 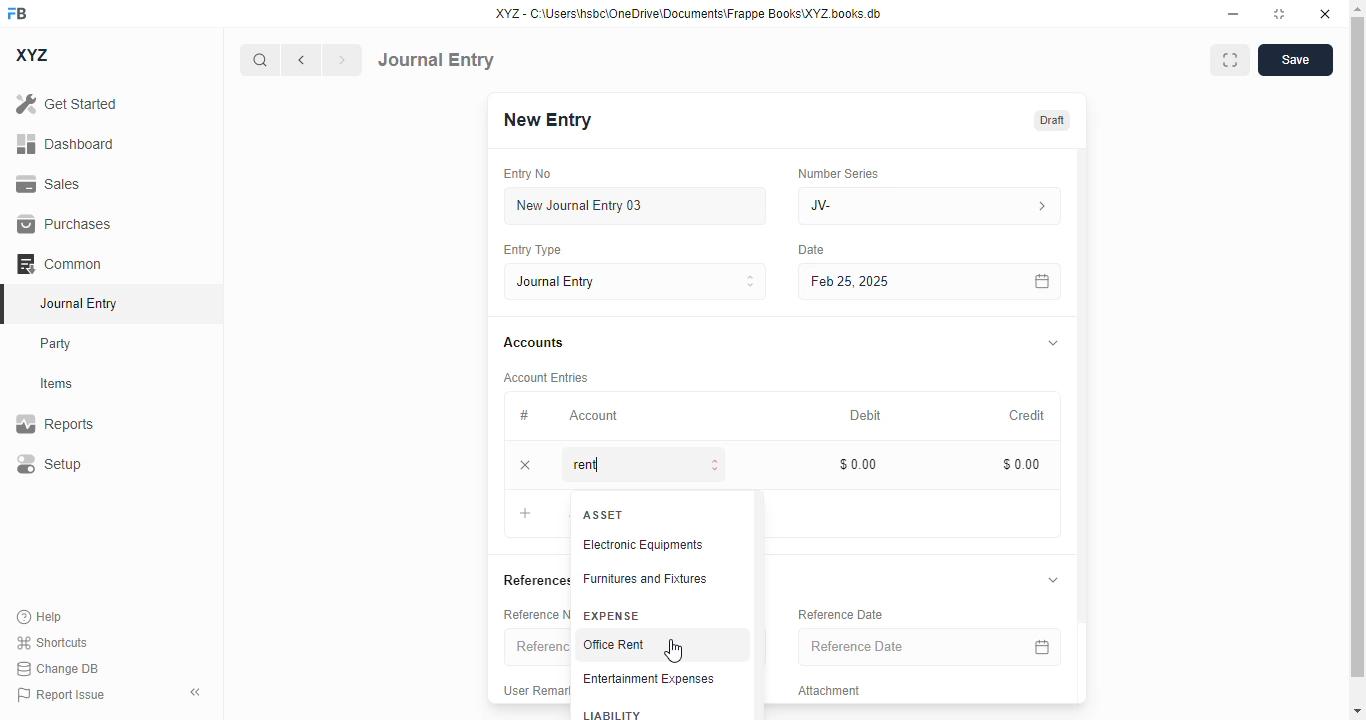 I want to click on FB logo, so click(x=17, y=12).